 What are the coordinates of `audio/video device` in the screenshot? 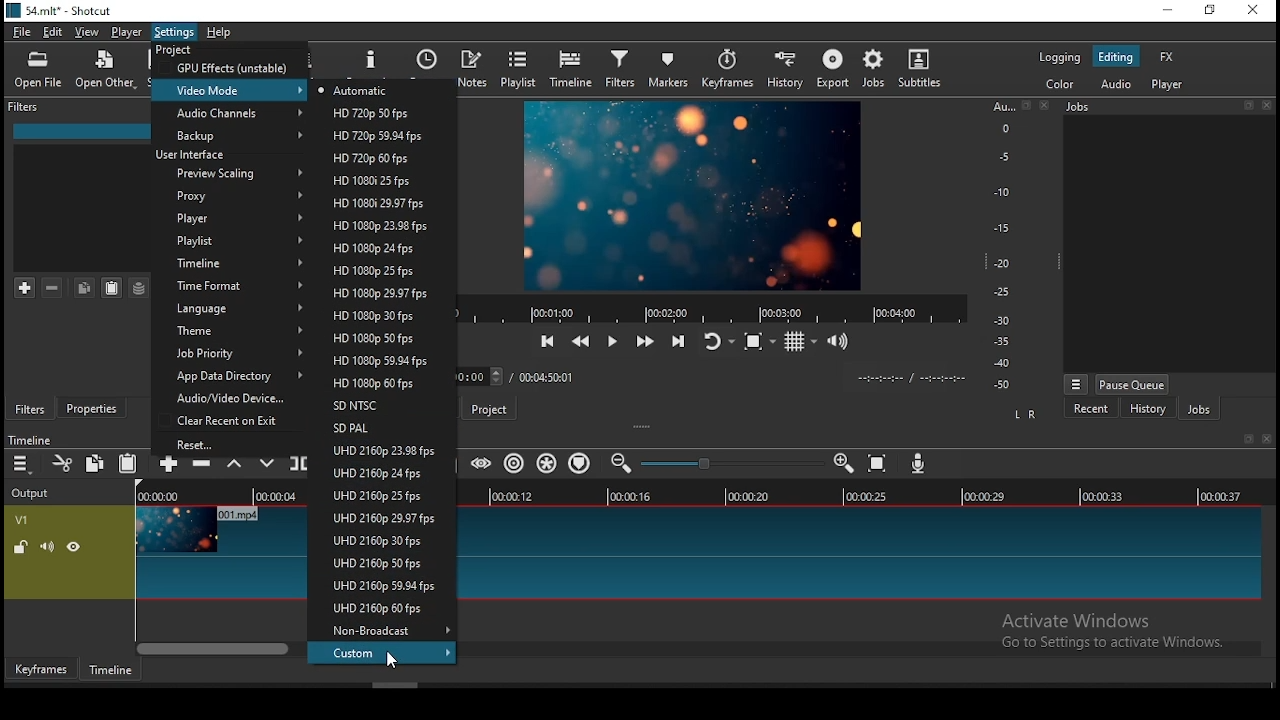 It's located at (223, 400).